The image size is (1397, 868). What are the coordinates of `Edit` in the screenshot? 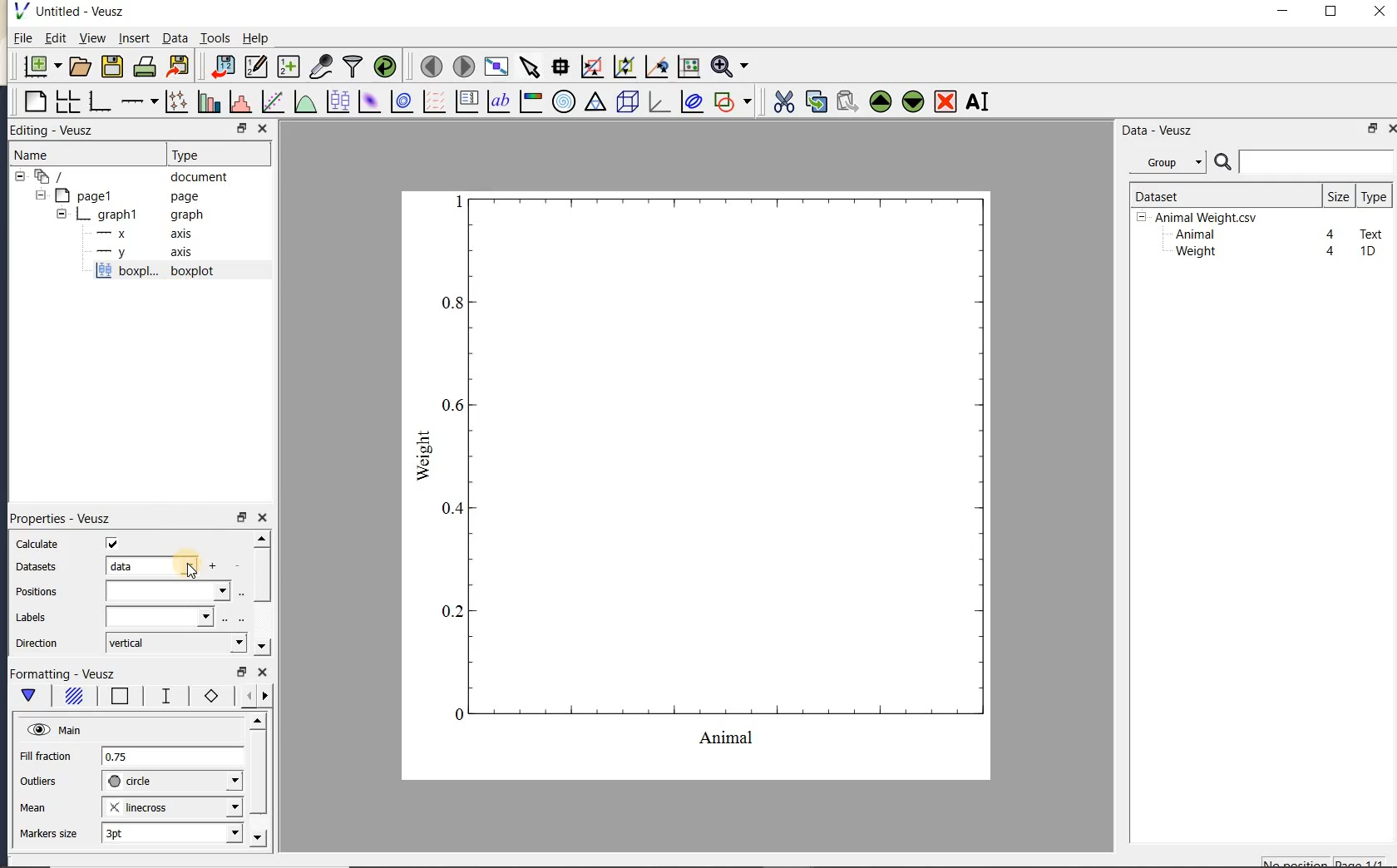 It's located at (52, 40).